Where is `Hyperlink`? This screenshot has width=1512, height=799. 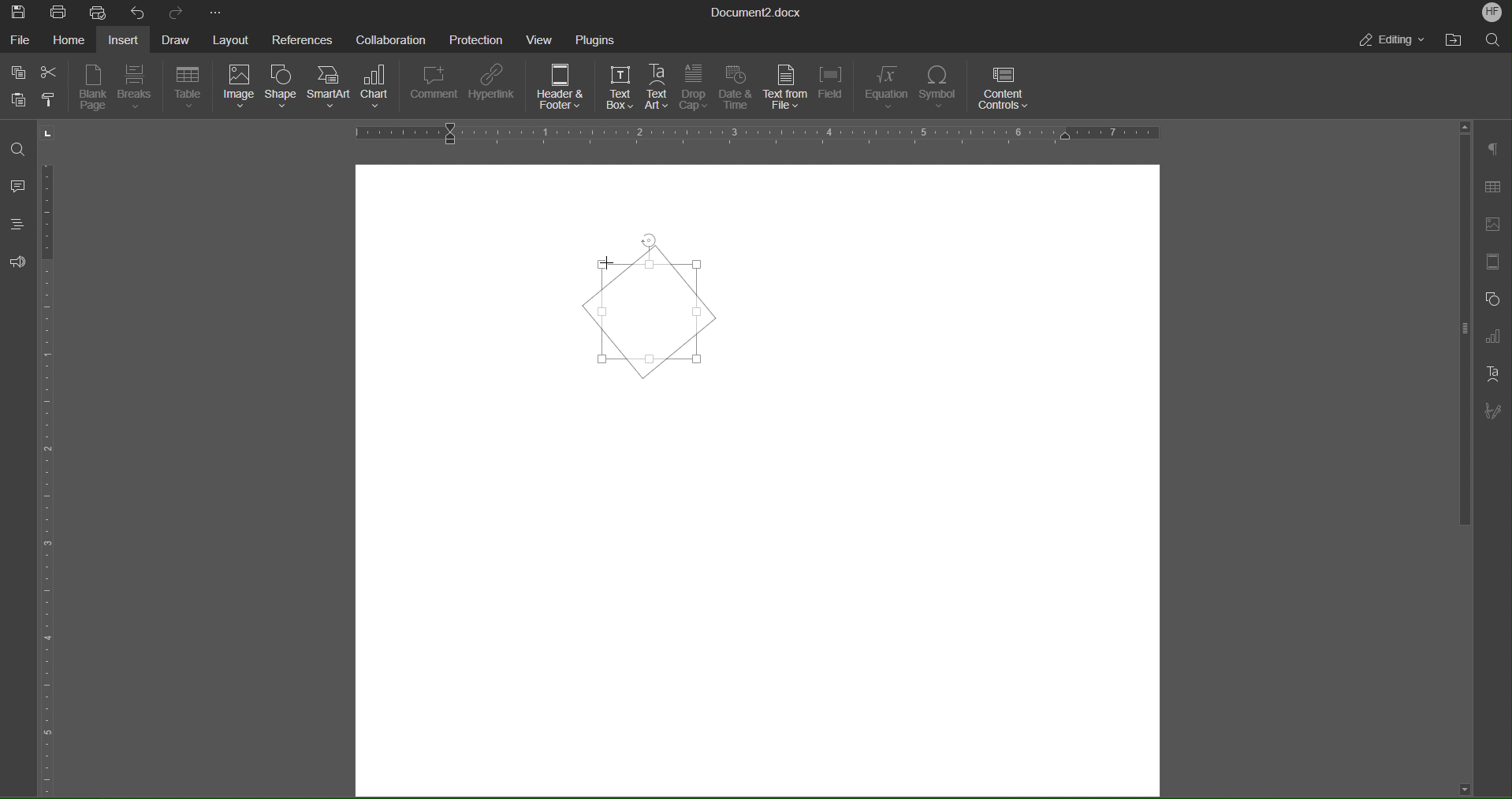
Hyperlink is located at coordinates (494, 87).